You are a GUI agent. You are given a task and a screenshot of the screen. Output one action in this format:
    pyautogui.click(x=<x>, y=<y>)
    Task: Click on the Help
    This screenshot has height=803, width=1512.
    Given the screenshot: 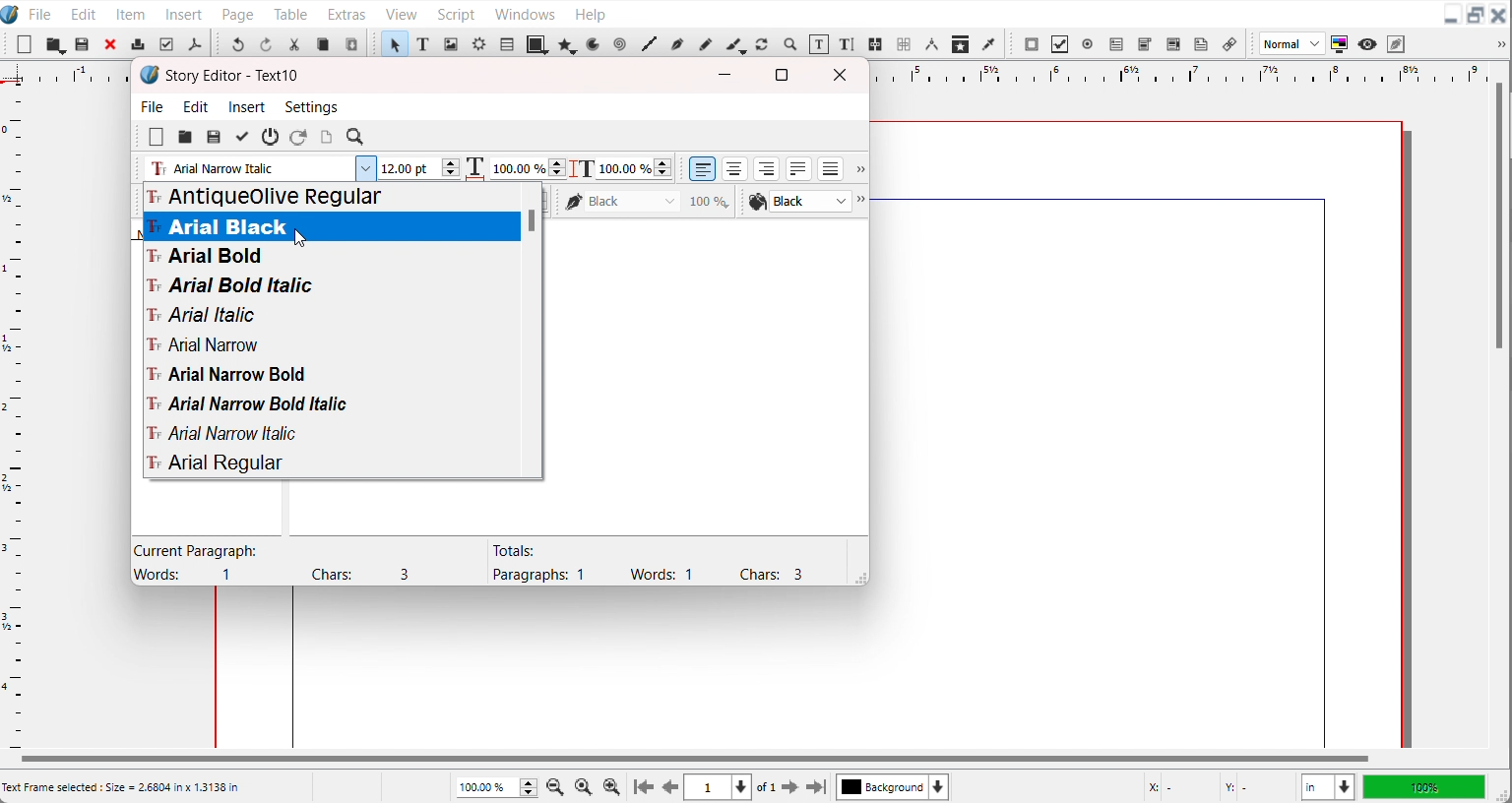 What is the action you would take?
    pyautogui.click(x=590, y=13)
    